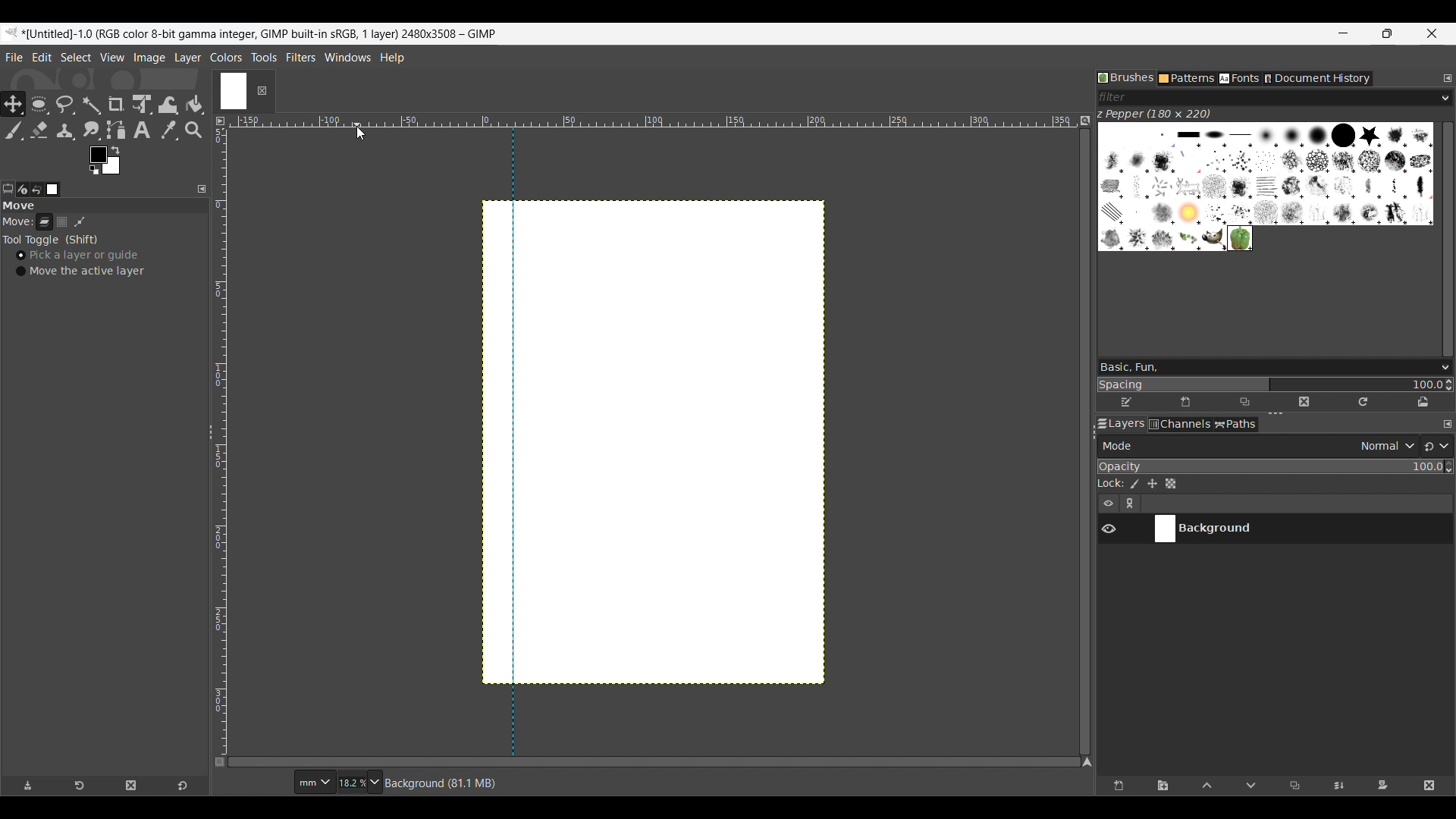 The height and width of the screenshot is (819, 1456). Describe the element at coordinates (195, 130) in the screenshot. I see `Zoom tool` at that location.